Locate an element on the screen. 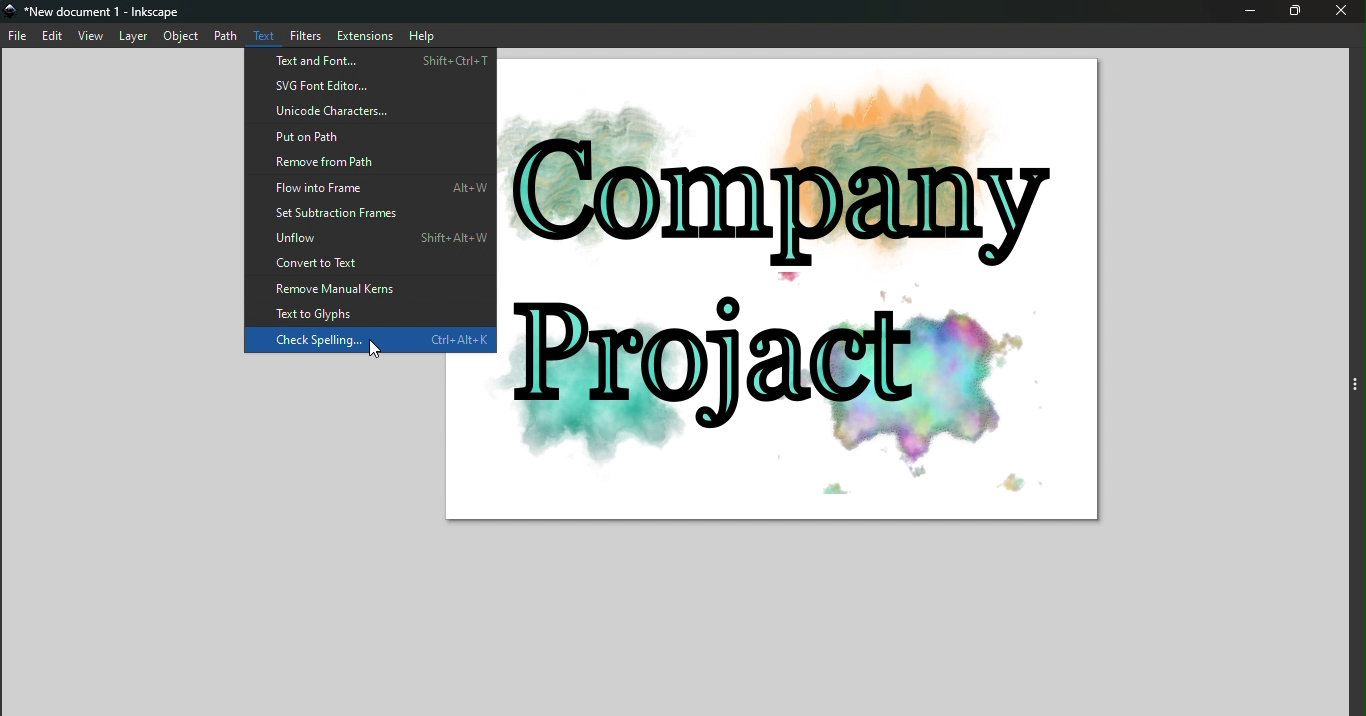 Image resolution: width=1366 pixels, height=716 pixels. Convert to text is located at coordinates (368, 263).